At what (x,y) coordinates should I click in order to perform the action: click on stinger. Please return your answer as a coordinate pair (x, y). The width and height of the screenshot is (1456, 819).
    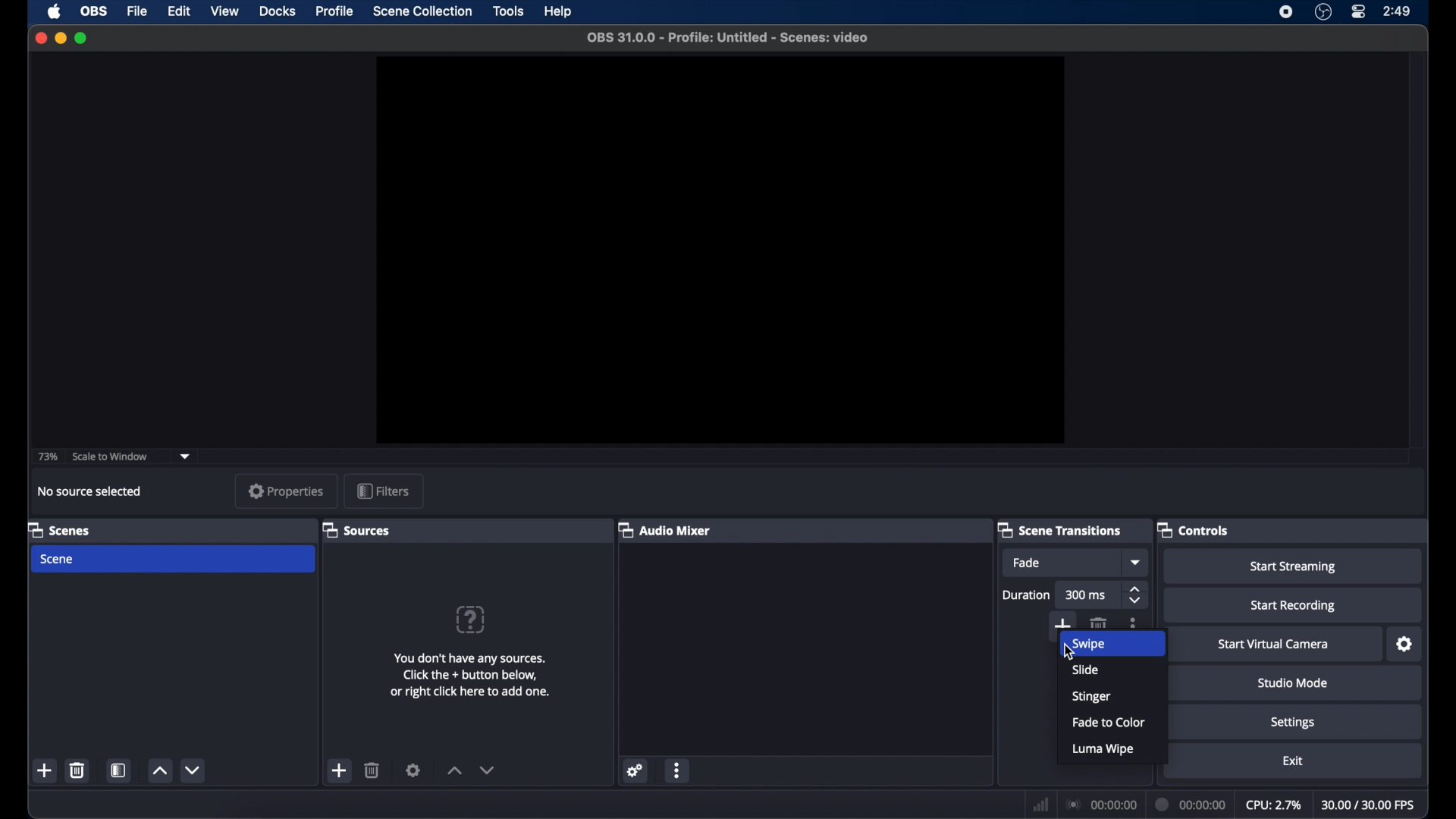
    Looking at the image, I should click on (1091, 696).